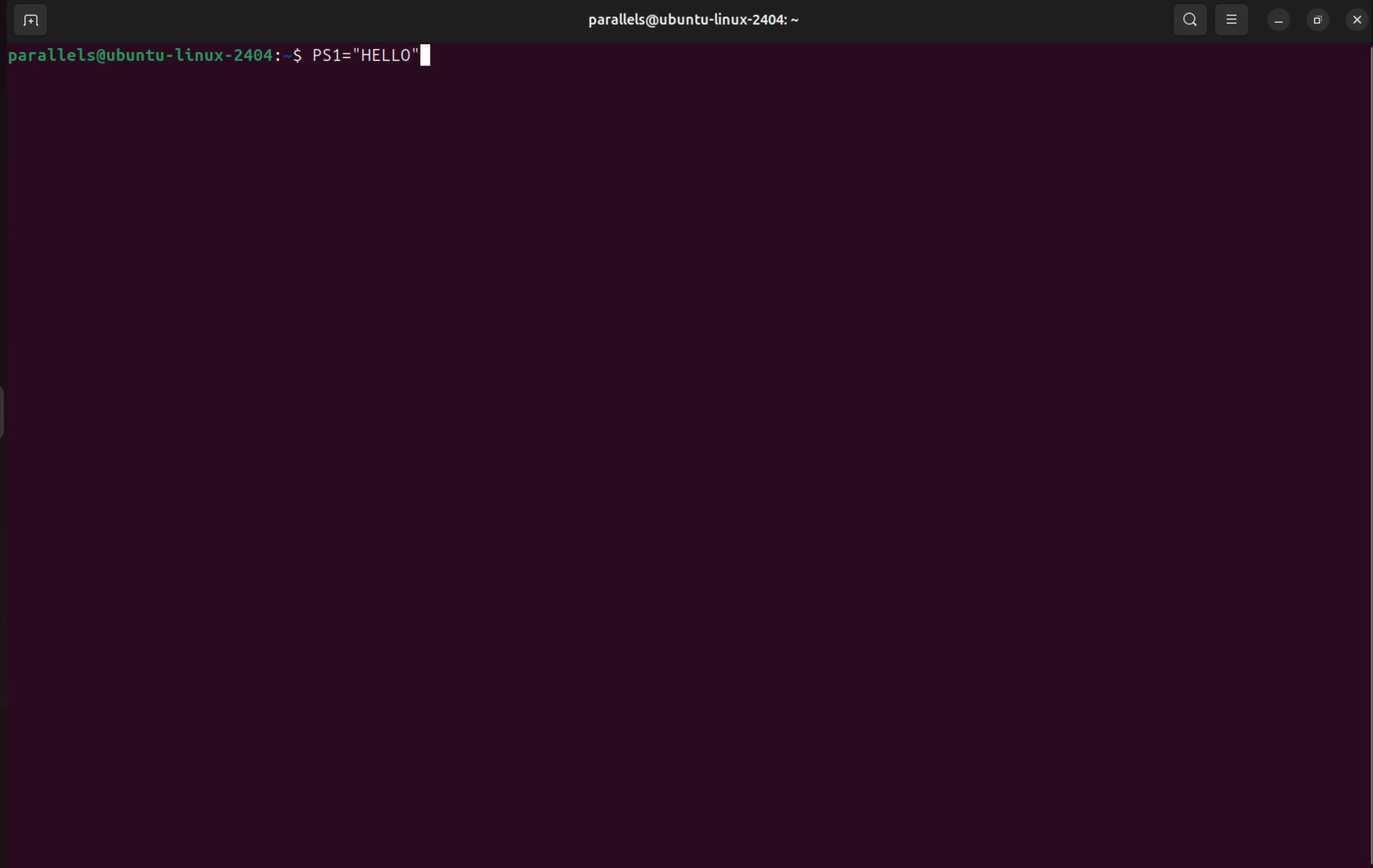  I want to click on parallels username, so click(686, 19).